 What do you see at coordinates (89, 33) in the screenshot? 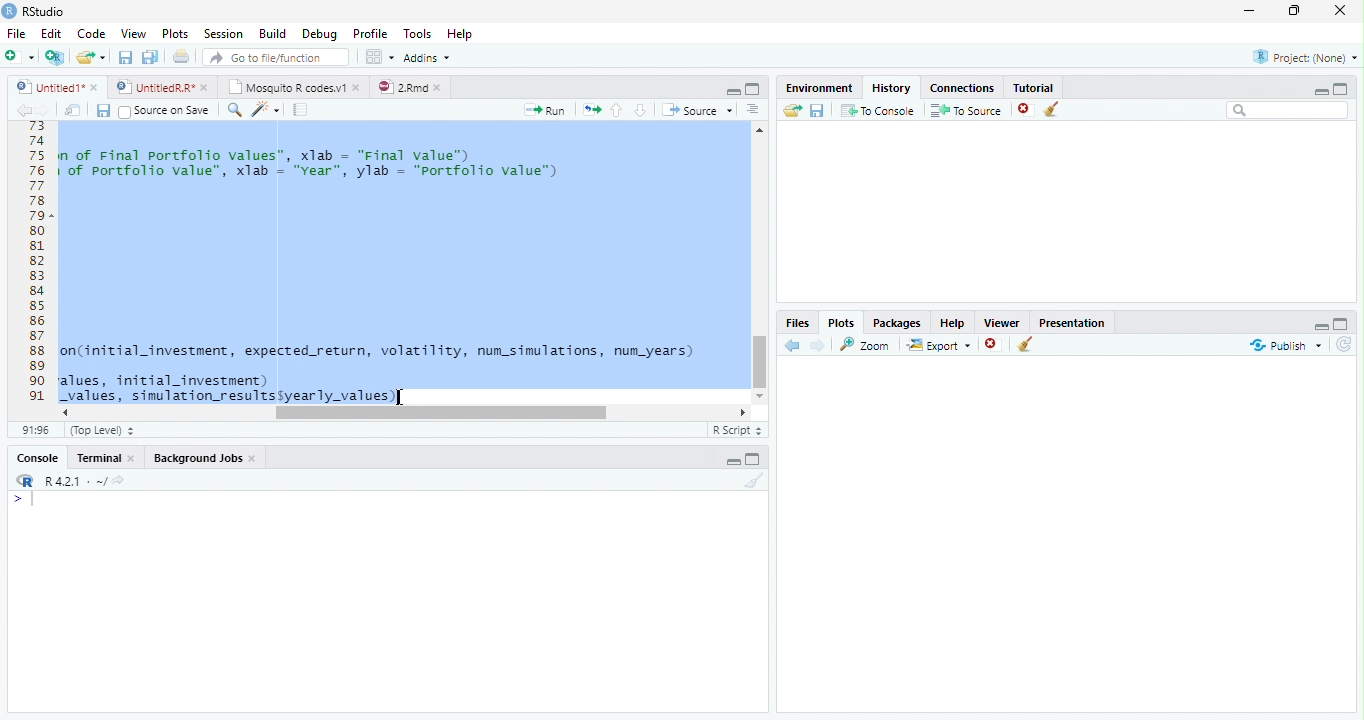
I see `Code` at bounding box center [89, 33].